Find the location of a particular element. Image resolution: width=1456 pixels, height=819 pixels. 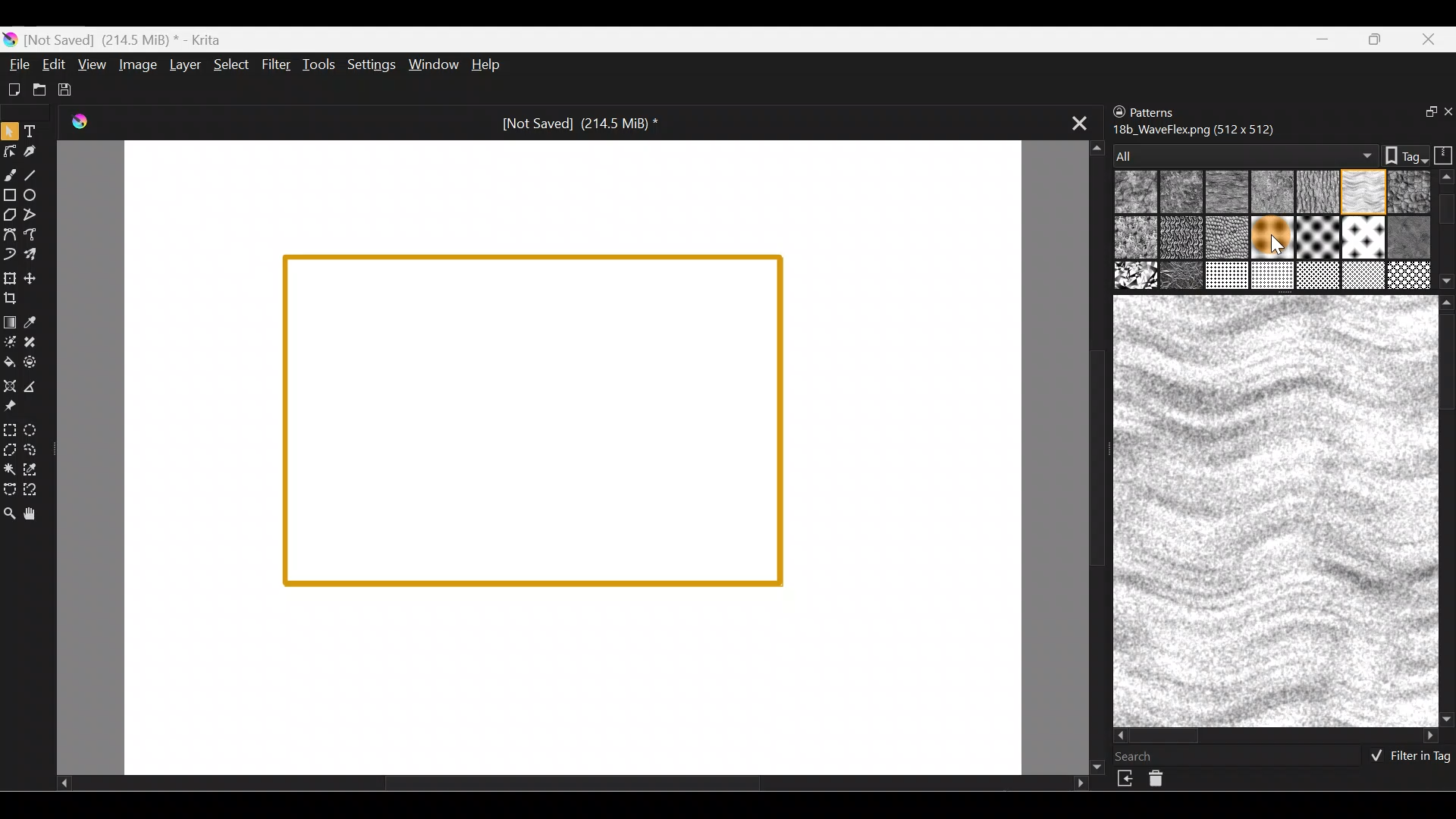

06 Hard-grain.png is located at coordinates (1412, 191).